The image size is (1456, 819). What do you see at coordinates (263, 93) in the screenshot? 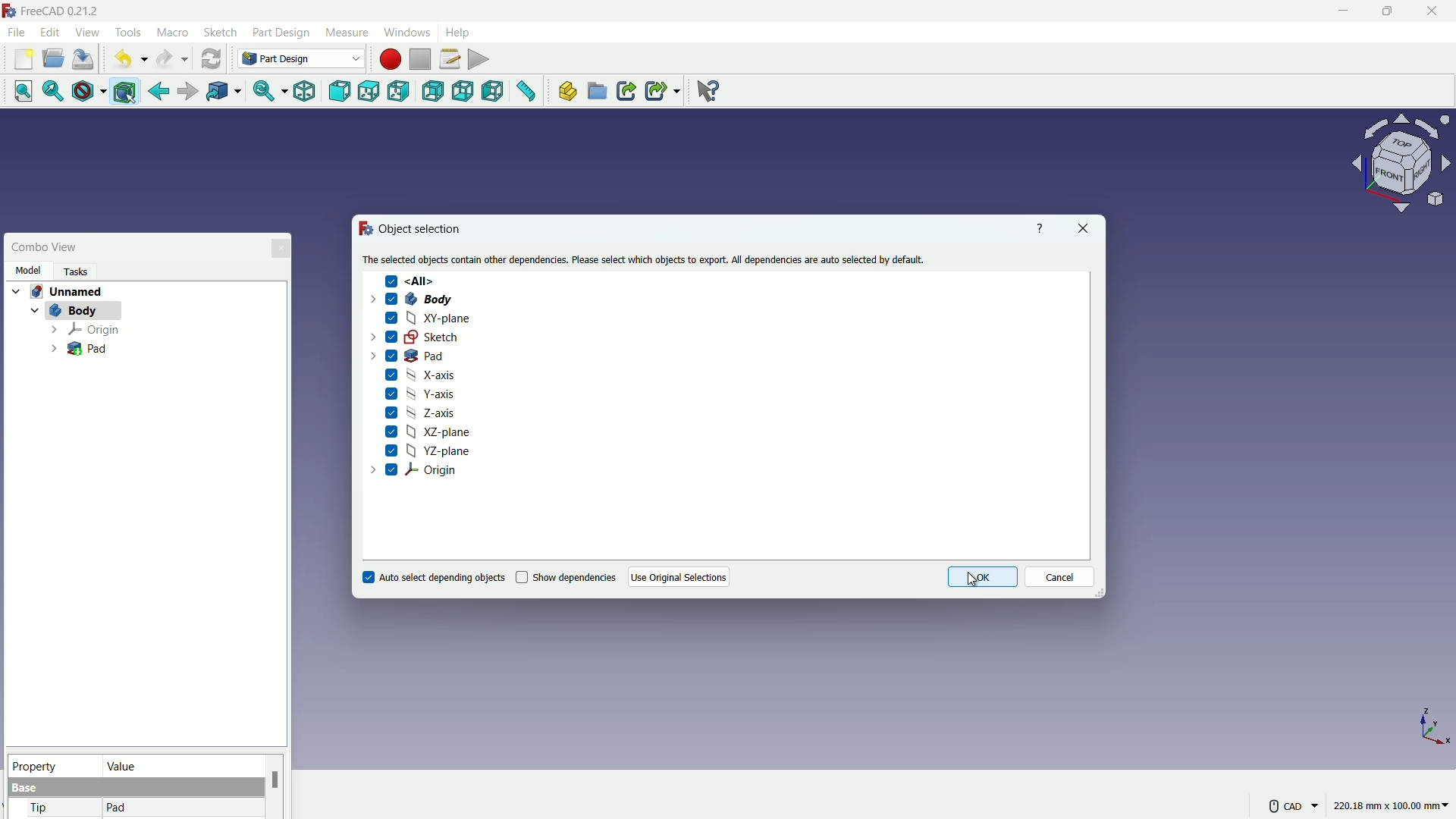
I see `sync view` at bounding box center [263, 93].